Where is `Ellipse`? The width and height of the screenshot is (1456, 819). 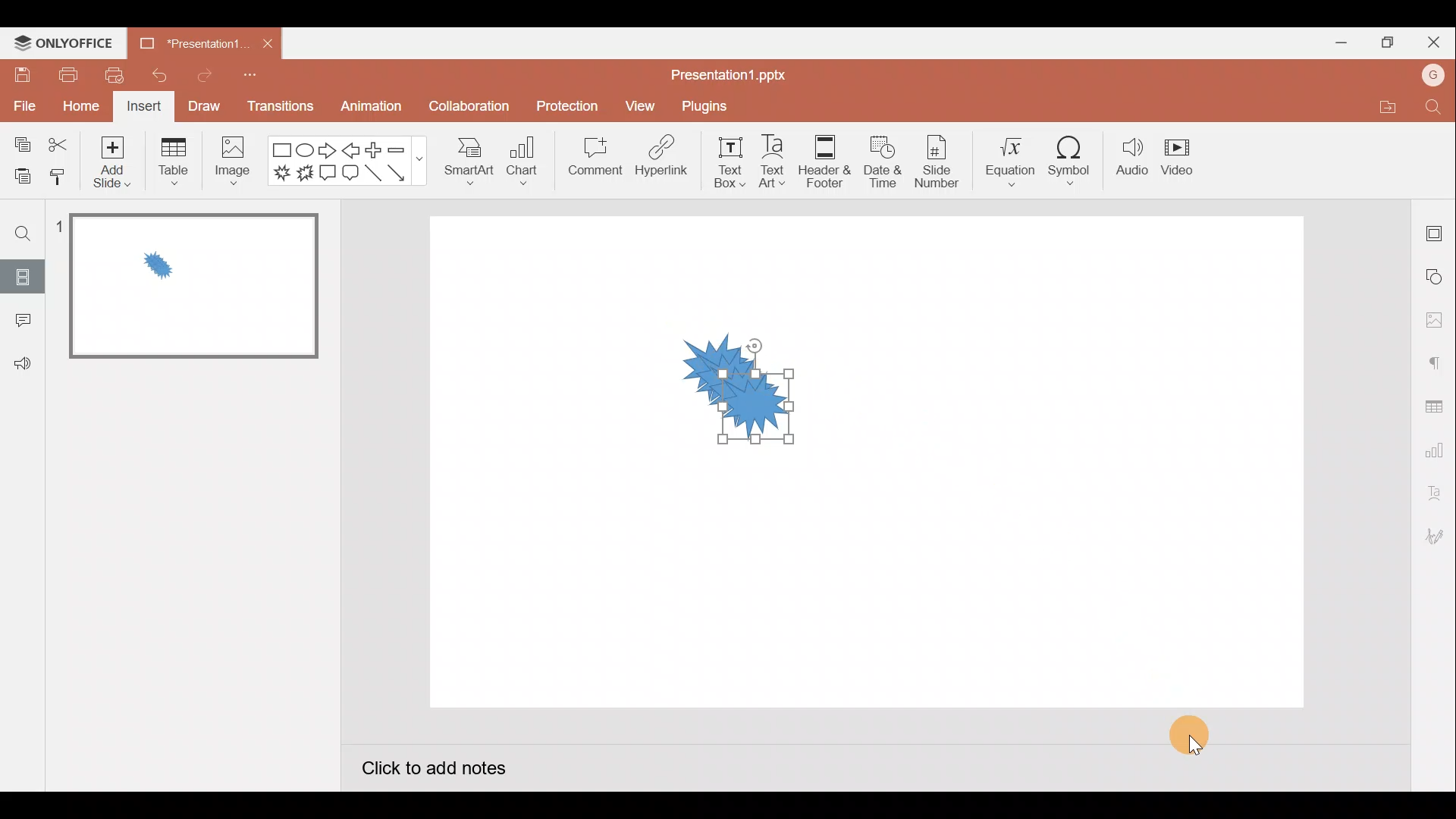
Ellipse is located at coordinates (308, 151).